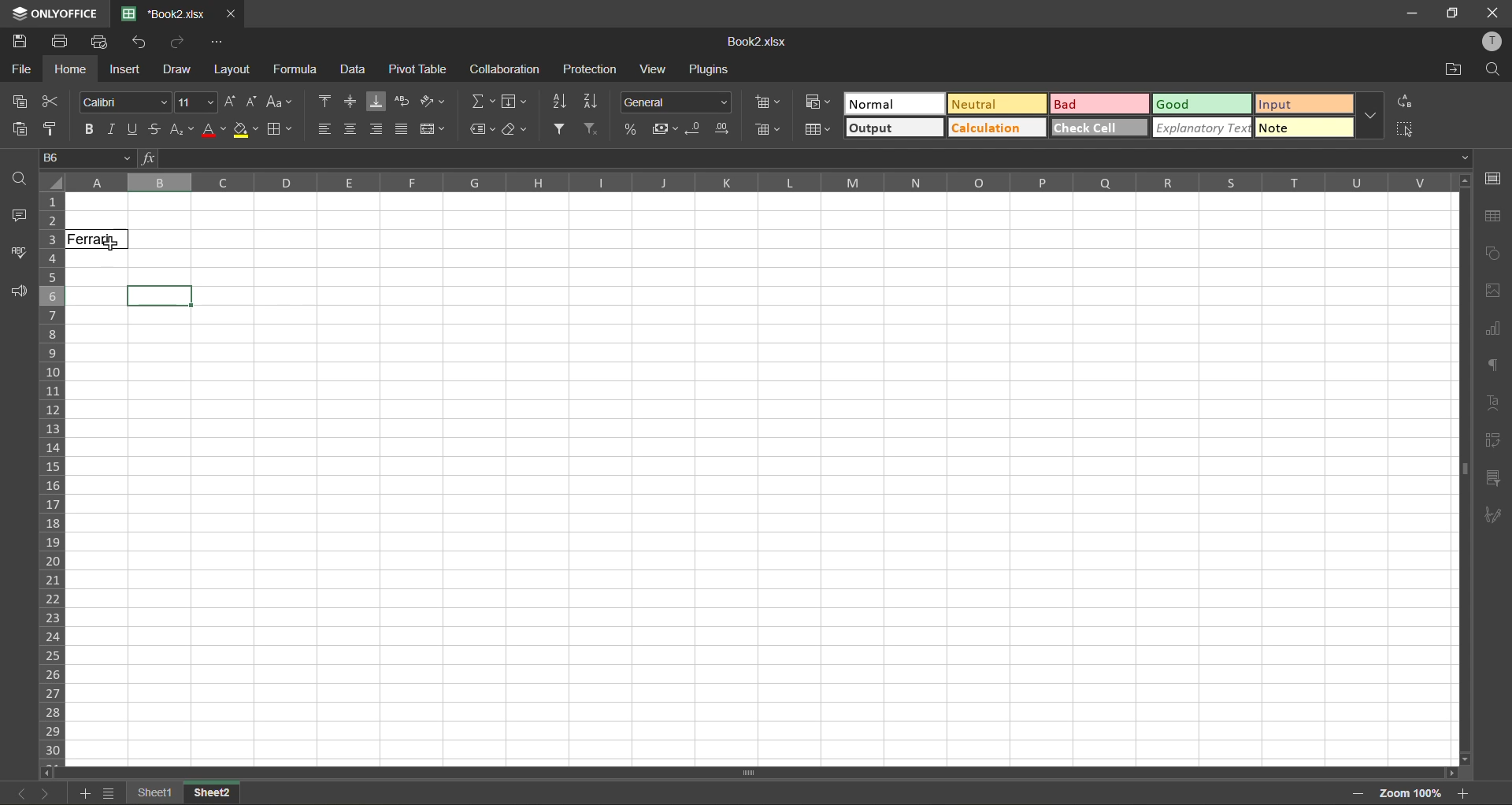 The height and width of the screenshot is (805, 1512). What do you see at coordinates (1492, 481) in the screenshot?
I see `slicer` at bounding box center [1492, 481].